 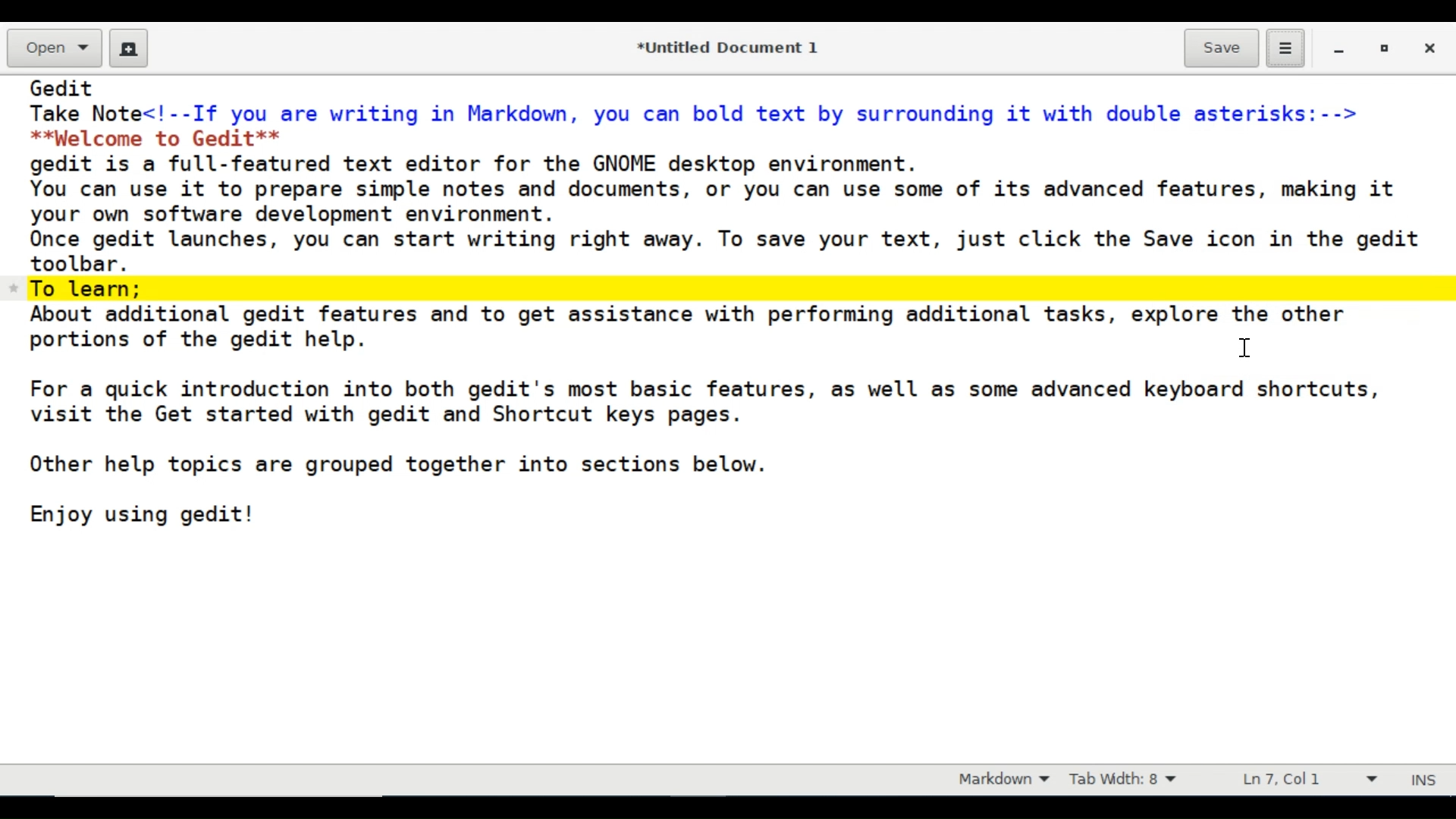 I want to click on Once gedit launches, you can start writing right away. To save your text, just click the Save icon in the gedit toolbar., so click(x=733, y=251).